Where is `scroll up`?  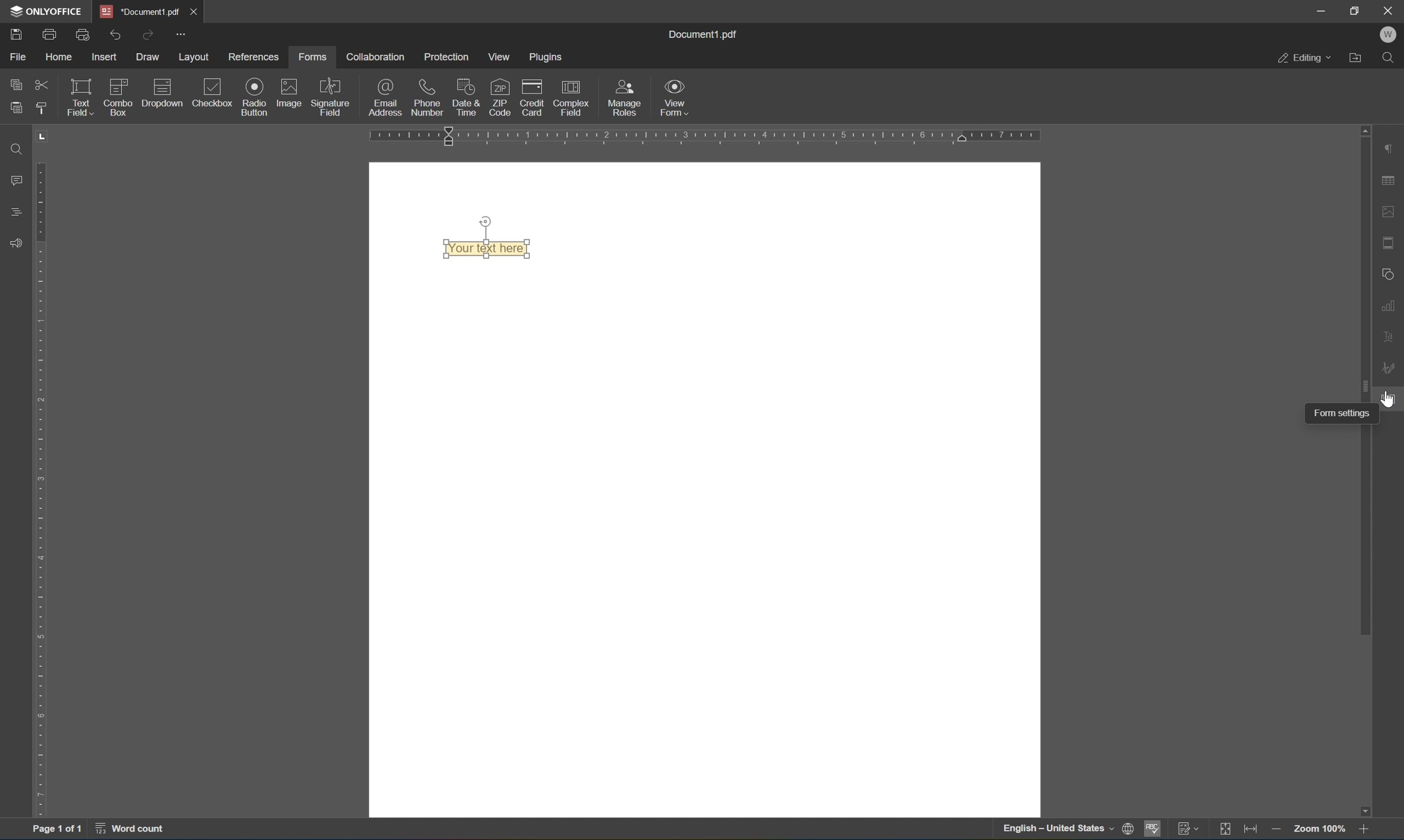 scroll up is located at coordinates (1362, 128).